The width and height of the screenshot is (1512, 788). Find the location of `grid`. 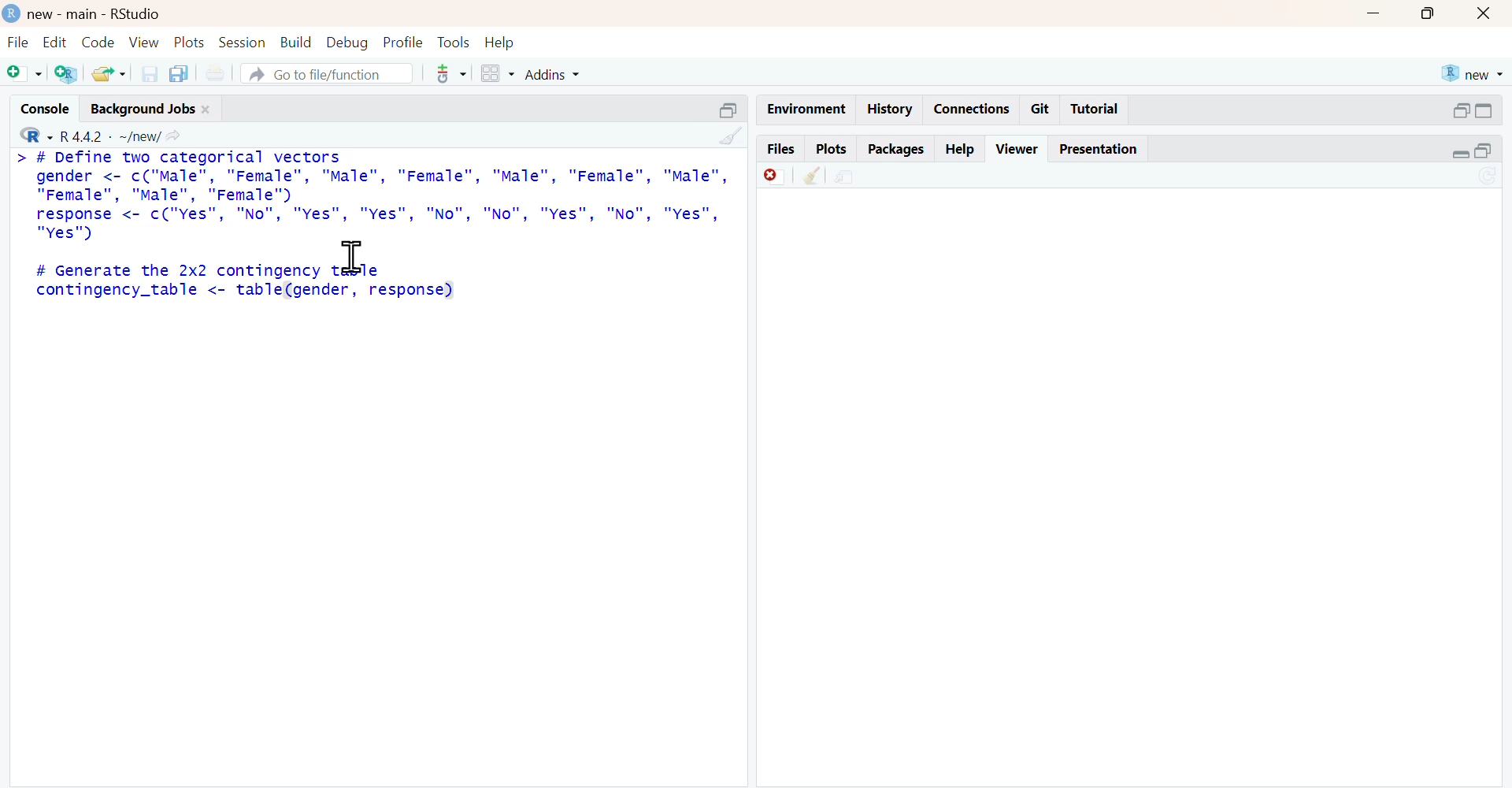

grid is located at coordinates (498, 73).